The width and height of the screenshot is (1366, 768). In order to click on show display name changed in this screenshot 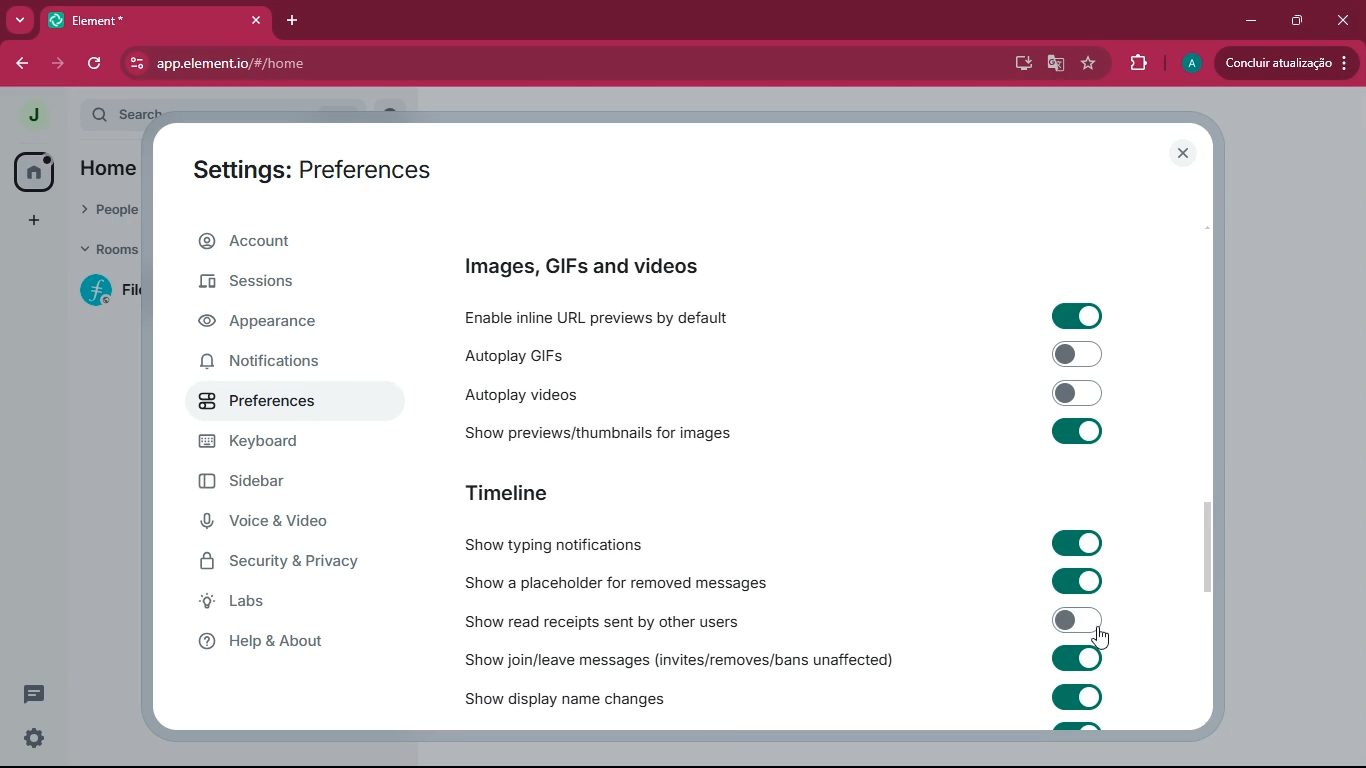, I will do `click(575, 697)`.